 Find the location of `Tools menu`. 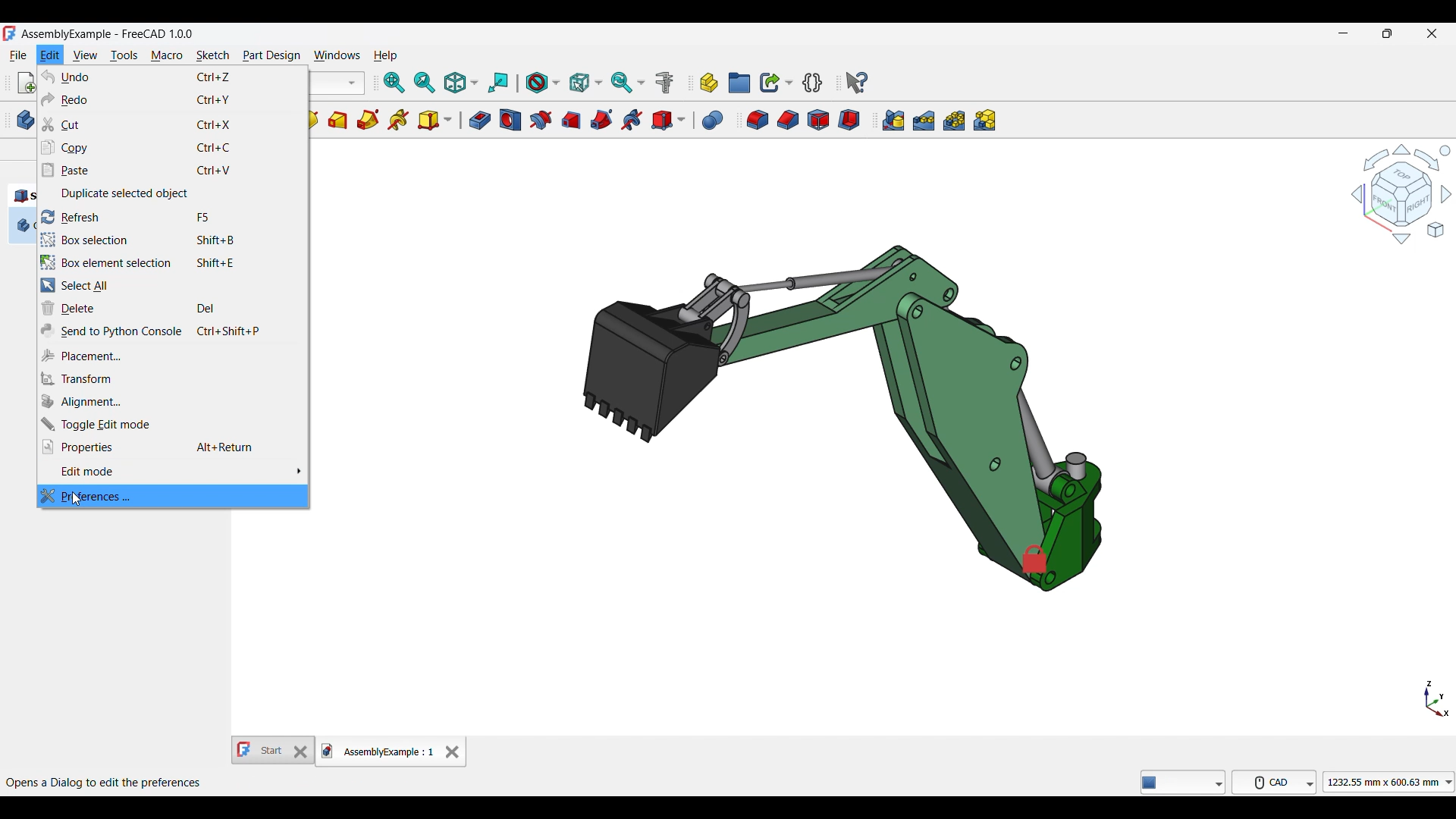

Tools menu is located at coordinates (124, 55).